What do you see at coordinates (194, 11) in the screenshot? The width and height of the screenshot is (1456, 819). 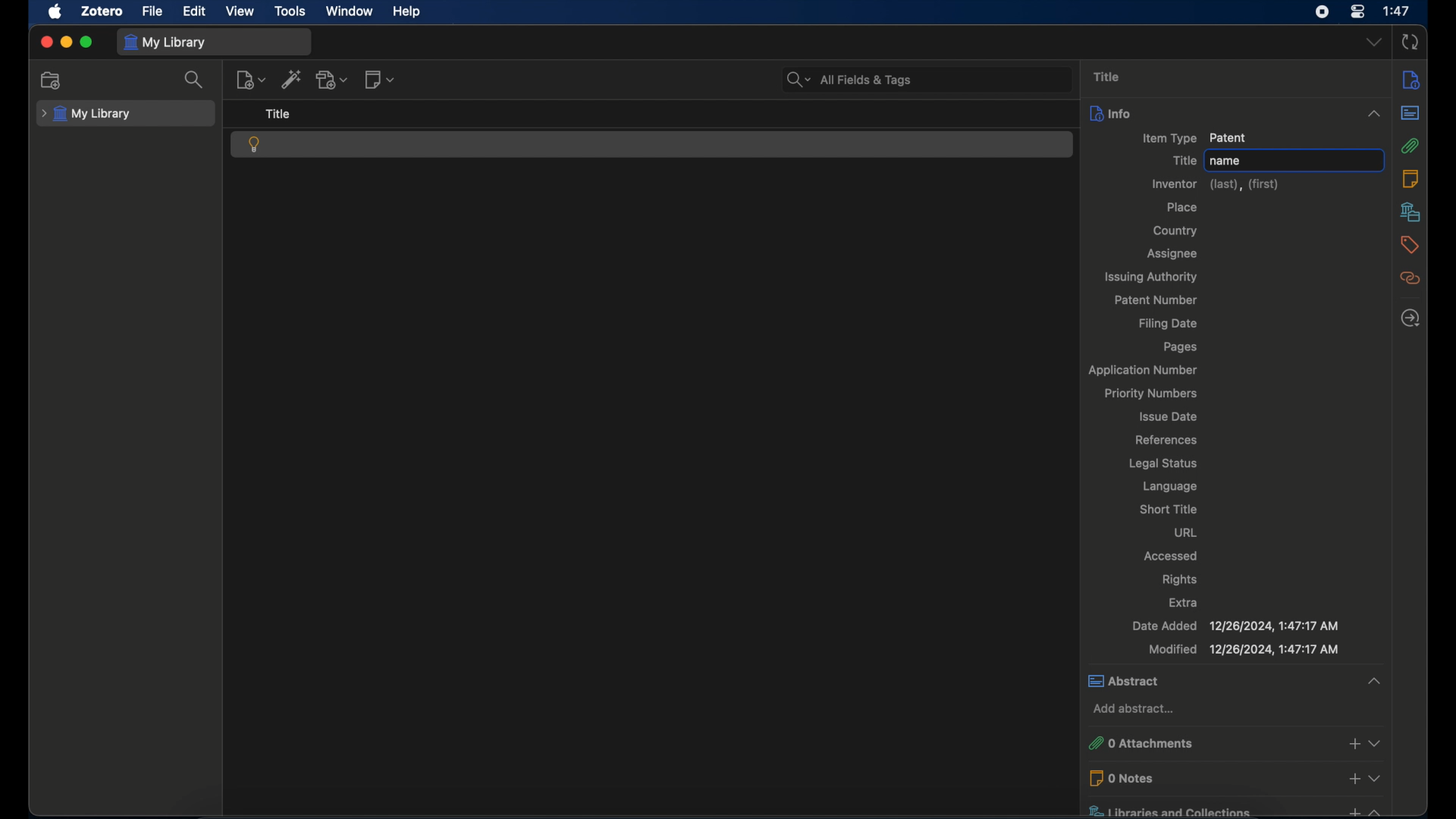 I see `edit` at bounding box center [194, 11].